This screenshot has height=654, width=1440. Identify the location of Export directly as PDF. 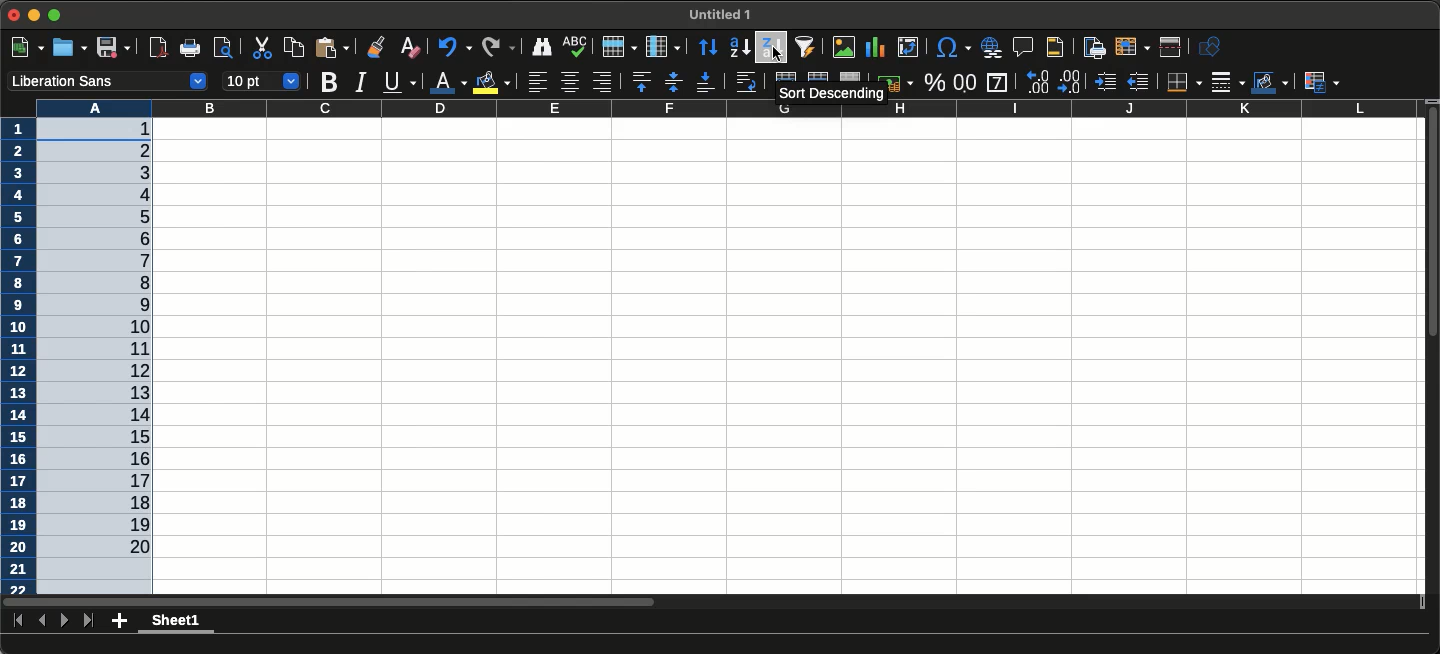
(157, 49).